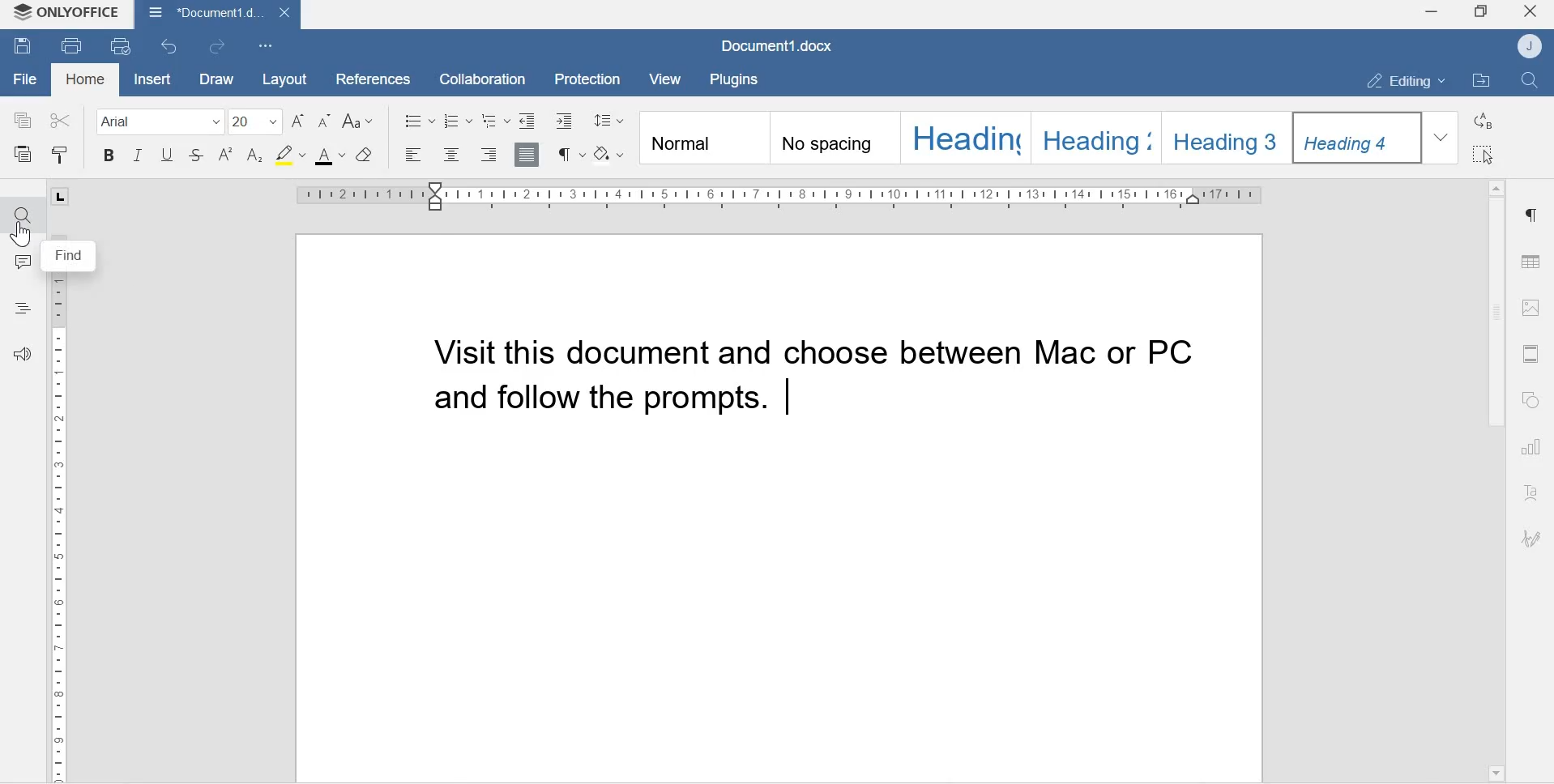  What do you see at coordinates (22, 215) in the screenshot?
I see `Find` at bounding box center [22, 215].